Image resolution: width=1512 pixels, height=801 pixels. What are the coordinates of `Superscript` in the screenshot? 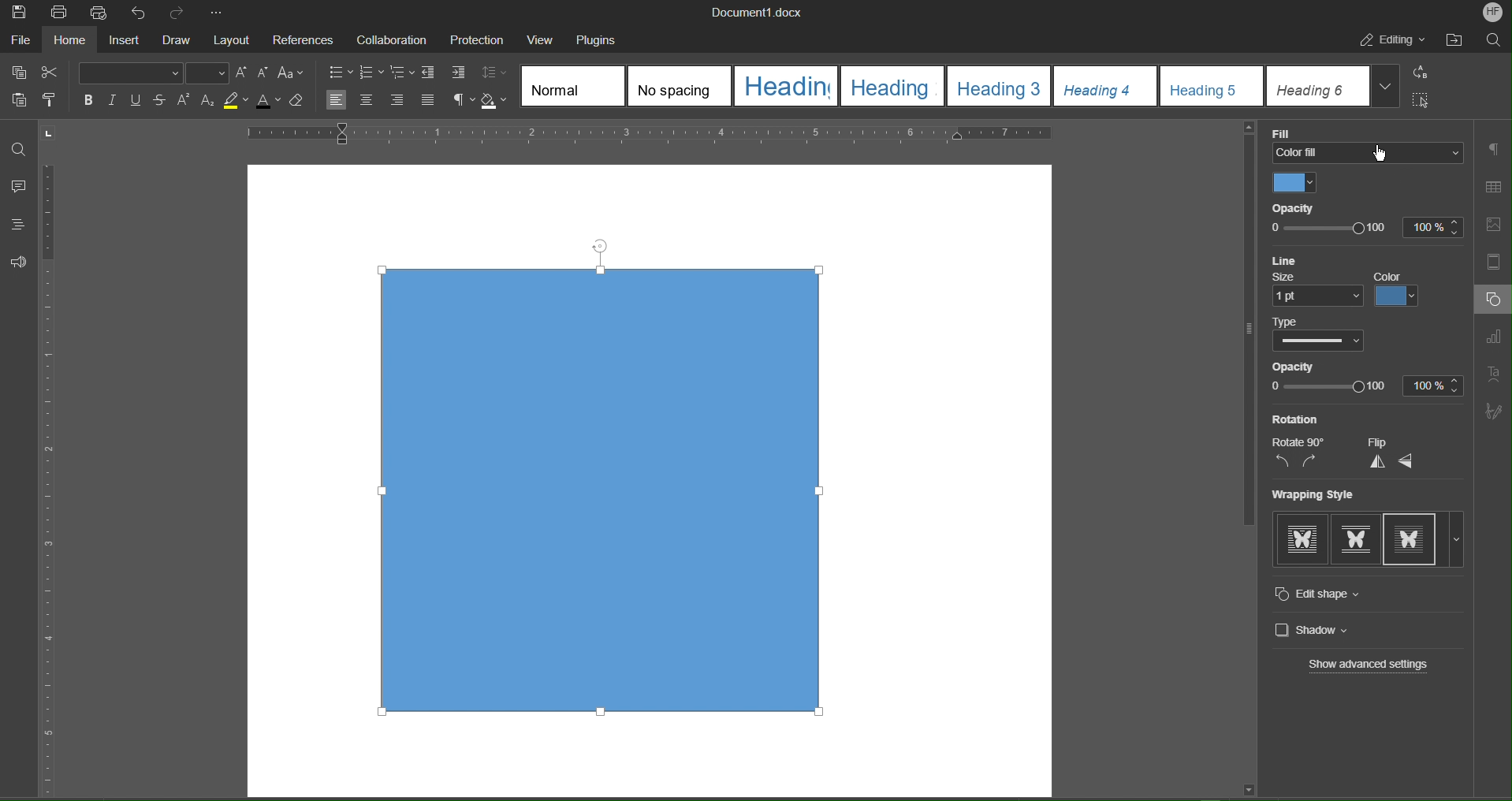 It's located at (184, 102).